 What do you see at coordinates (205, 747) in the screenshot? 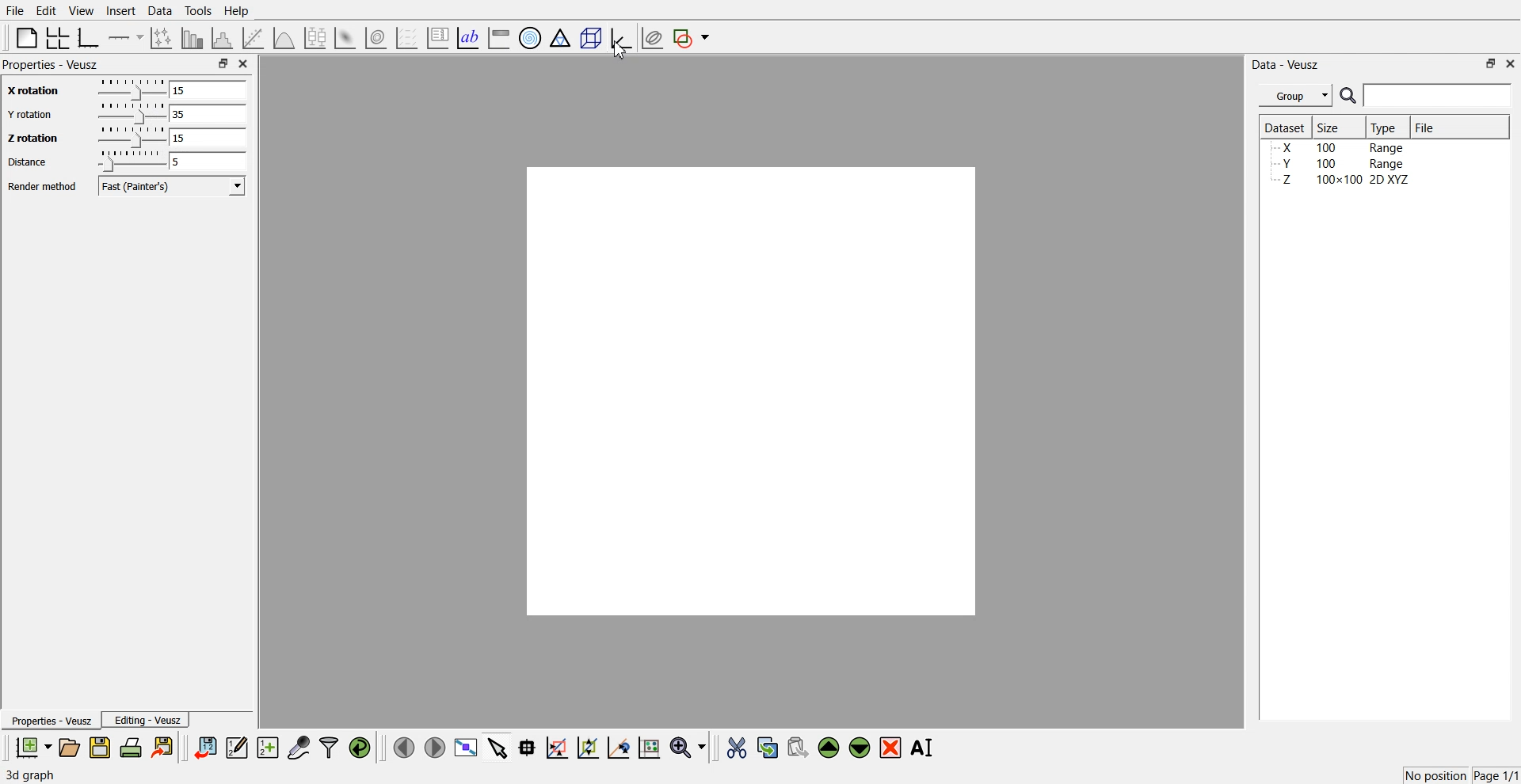
I see `Import dataset from veusz` at bounding box center [205, 747].